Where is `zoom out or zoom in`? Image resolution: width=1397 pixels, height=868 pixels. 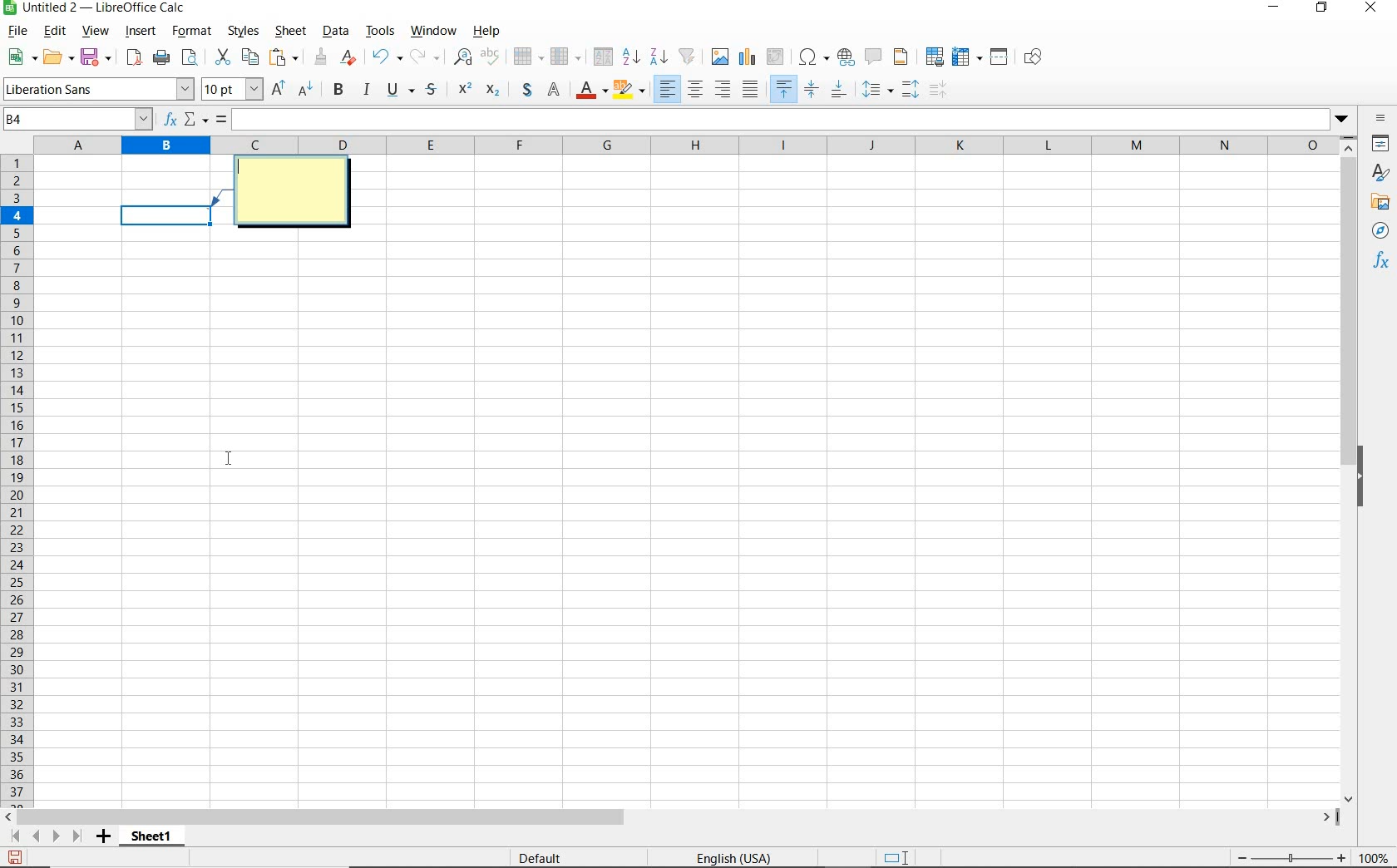
zoom out or zoom in is located at coordinates (1290, 856).